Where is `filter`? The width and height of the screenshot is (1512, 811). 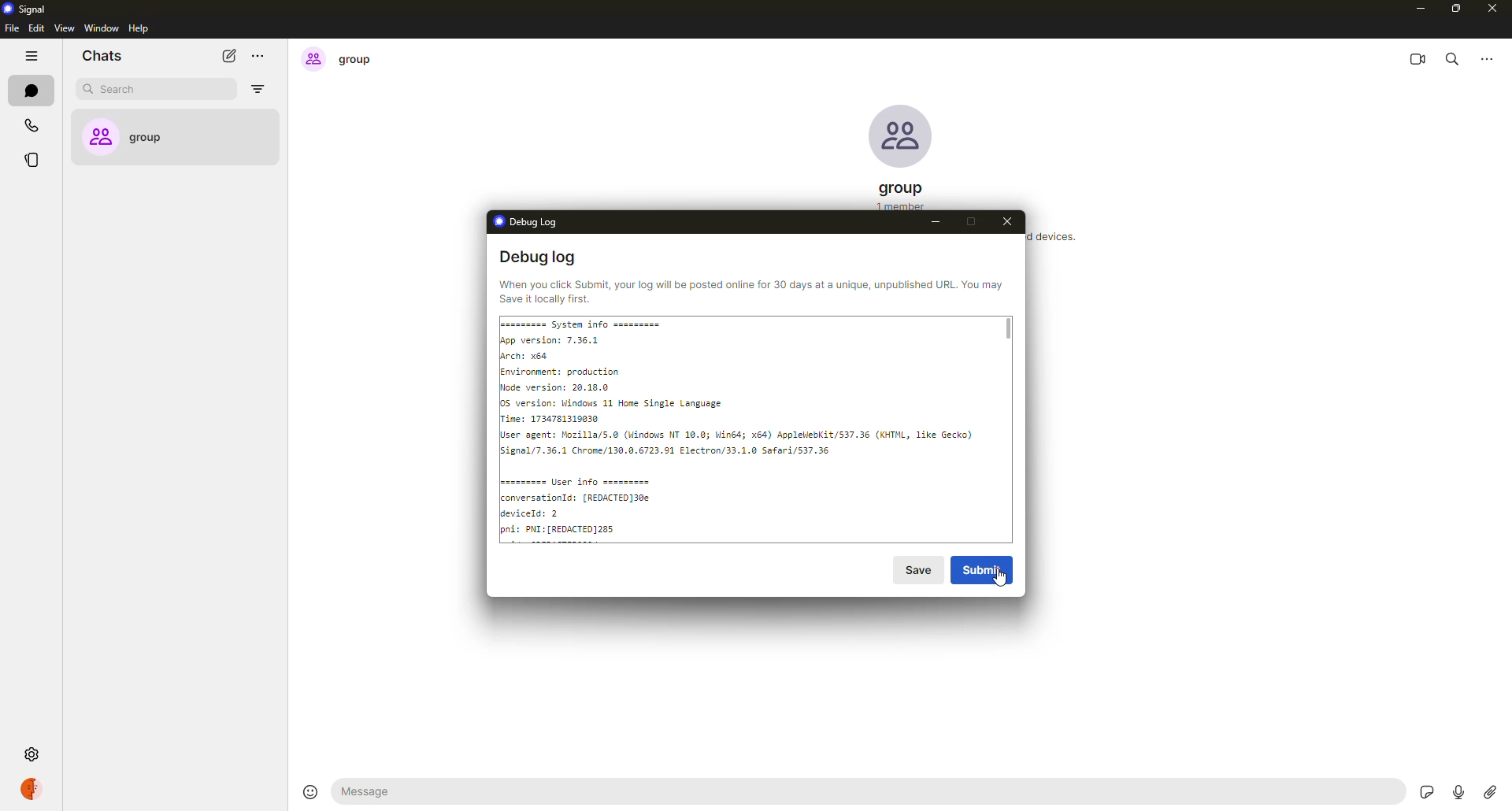
filter is located at coordinates (257, 89).